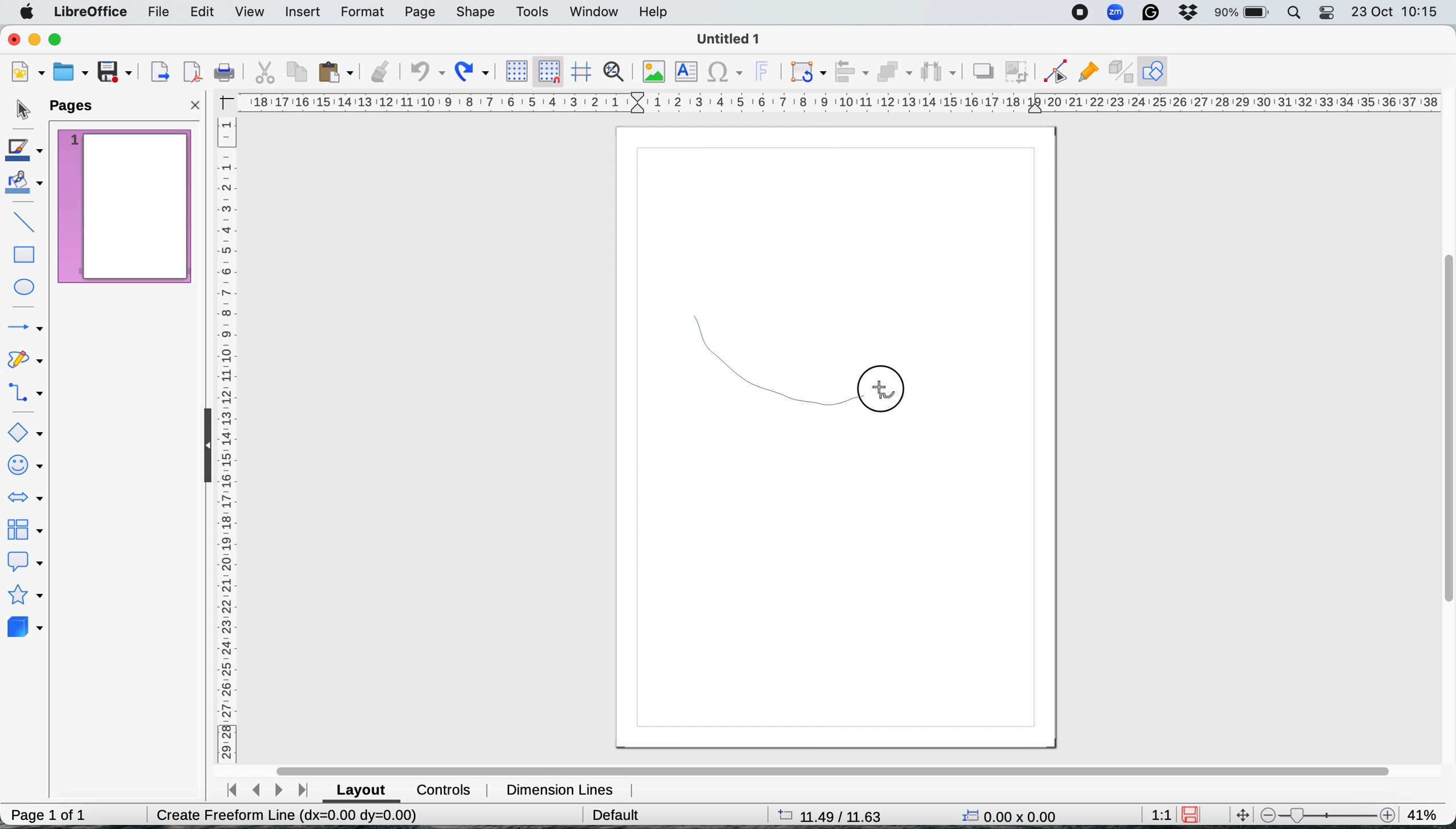 The image size is (1456, 829). I want to click on minimise, so click(34, 40).